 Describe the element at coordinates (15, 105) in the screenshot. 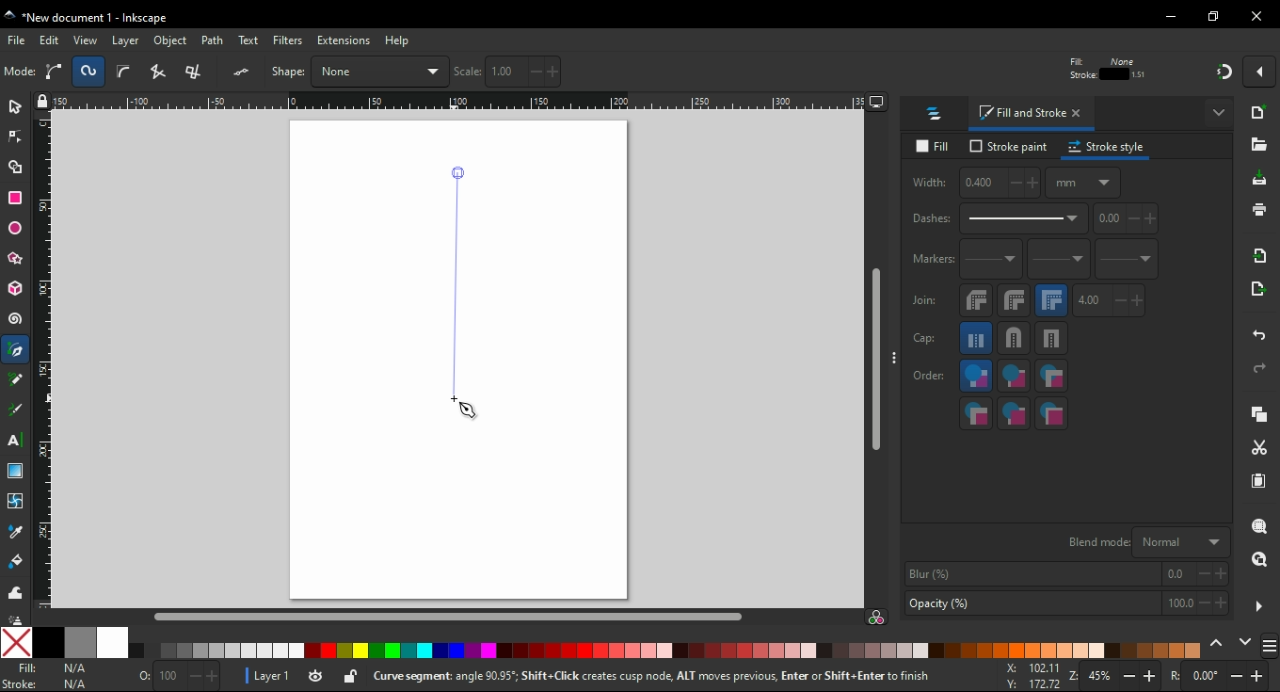

I see `select tool` at that location.